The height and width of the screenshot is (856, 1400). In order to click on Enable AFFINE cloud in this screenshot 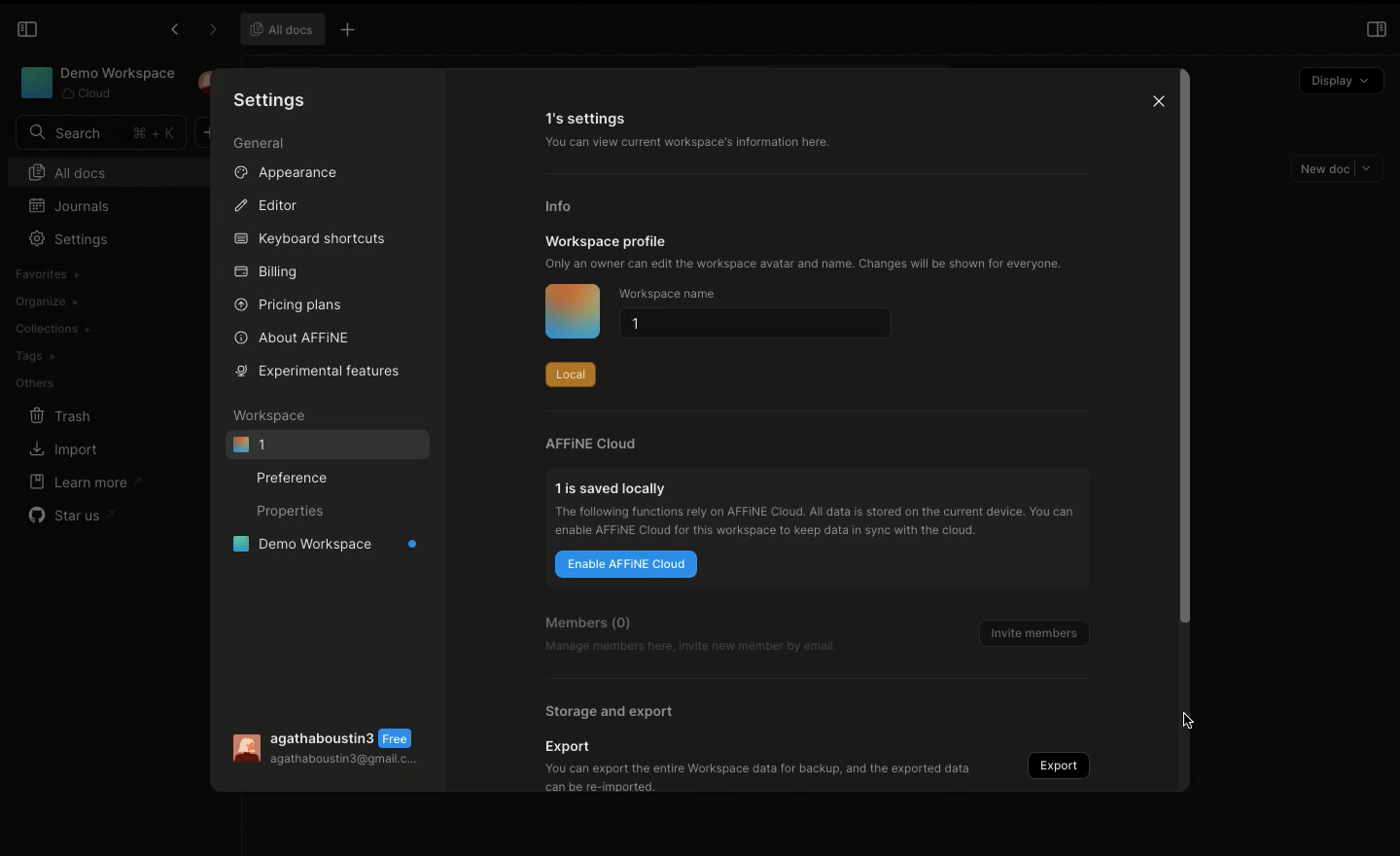, I will do `click(630, 566)`.